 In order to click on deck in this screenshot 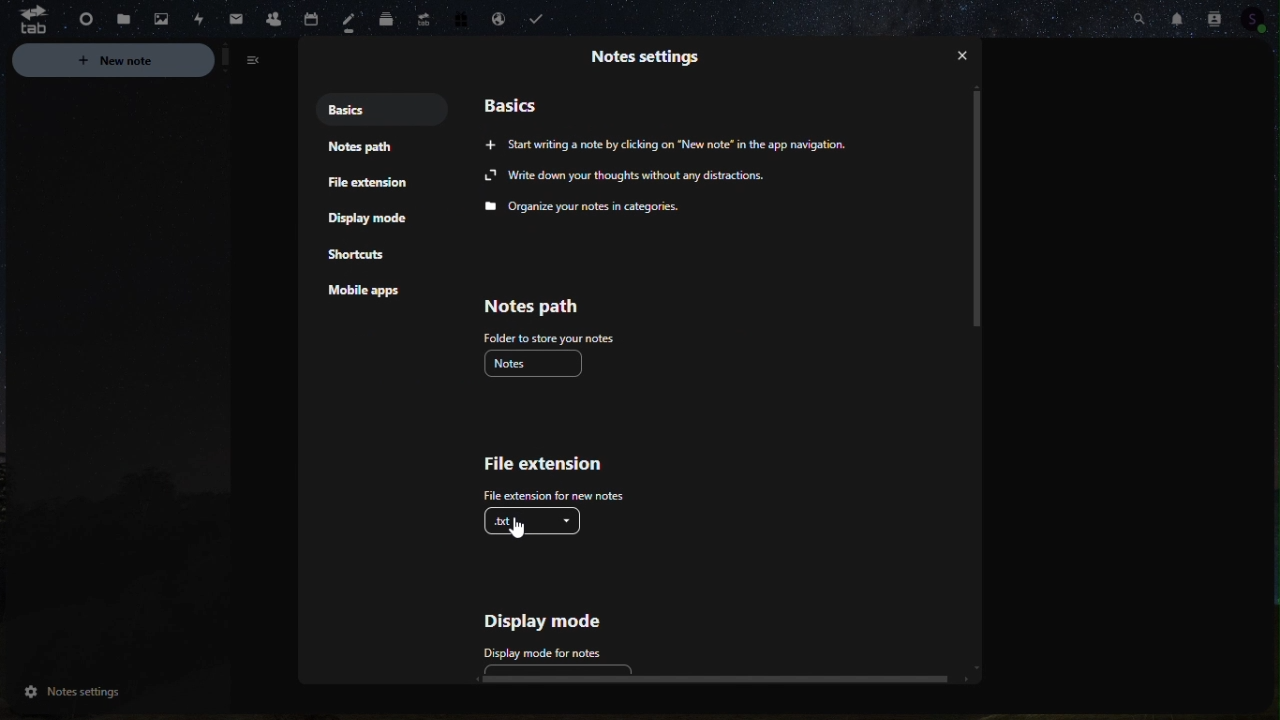, I will do `click(388, 20)`.